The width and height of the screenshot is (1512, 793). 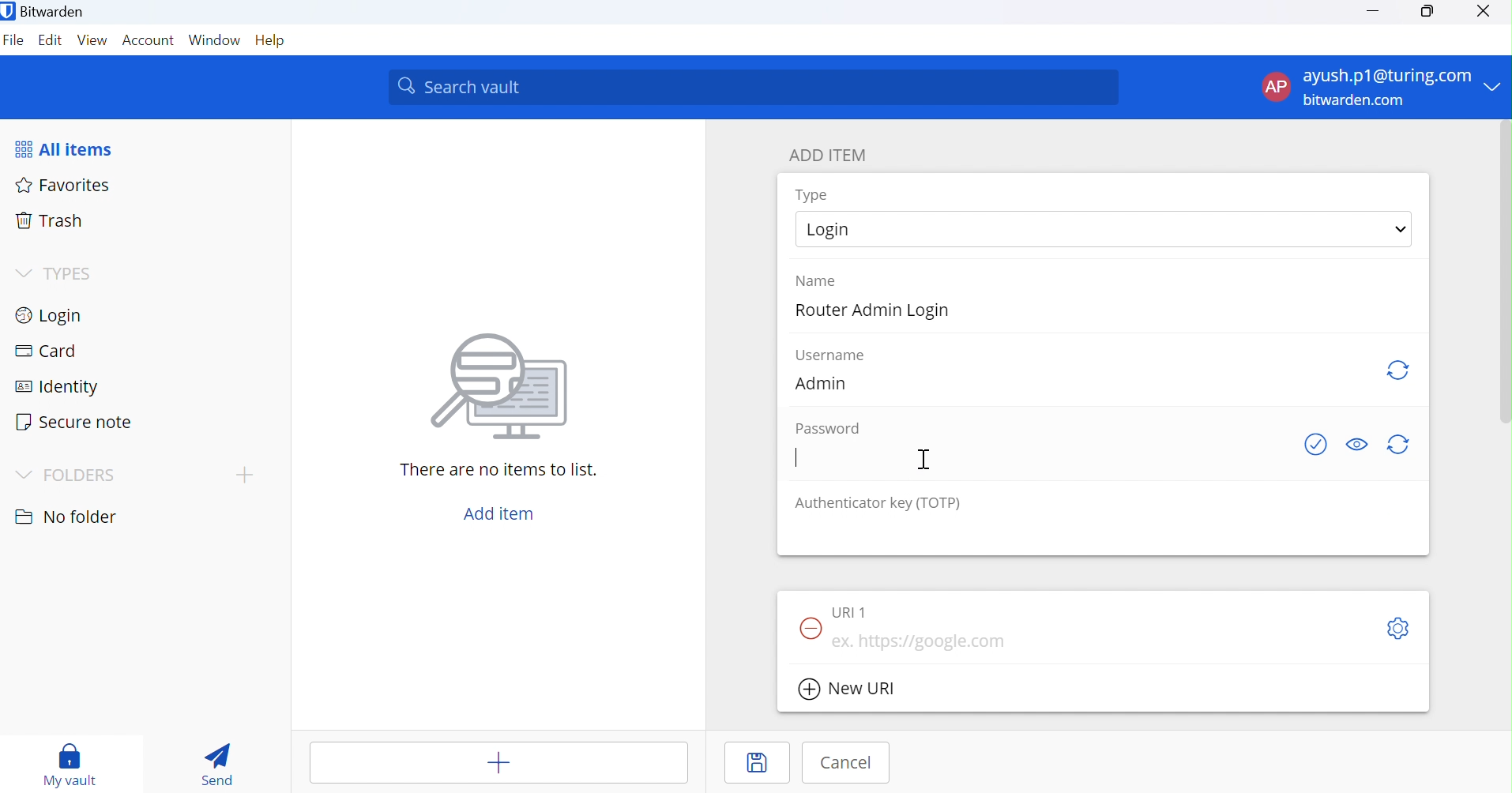 What do you see at coordinates (54, 274) in the screenshot?
I see `TYPES` at bounding box center [54, 274].